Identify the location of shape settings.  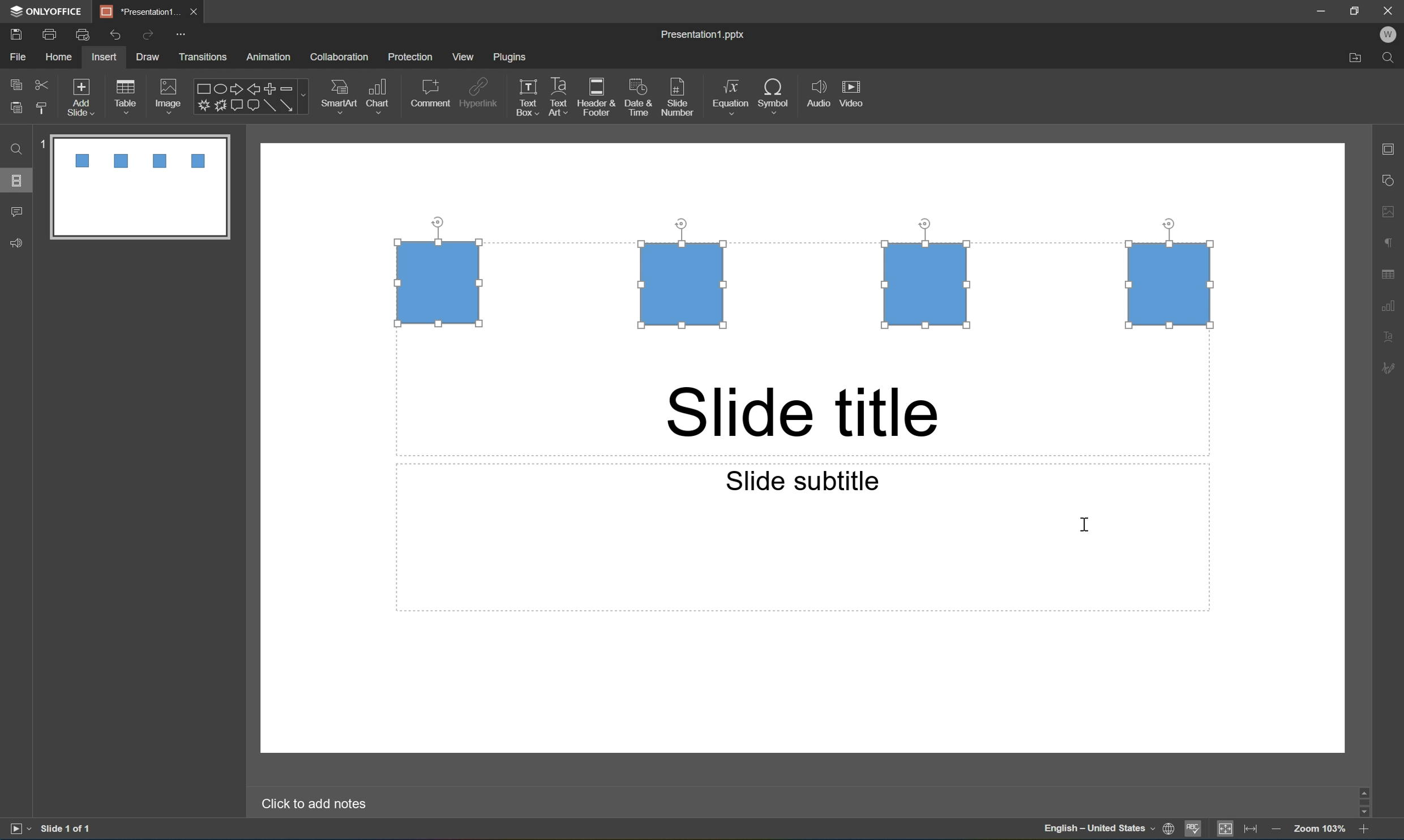
(1393, 180).